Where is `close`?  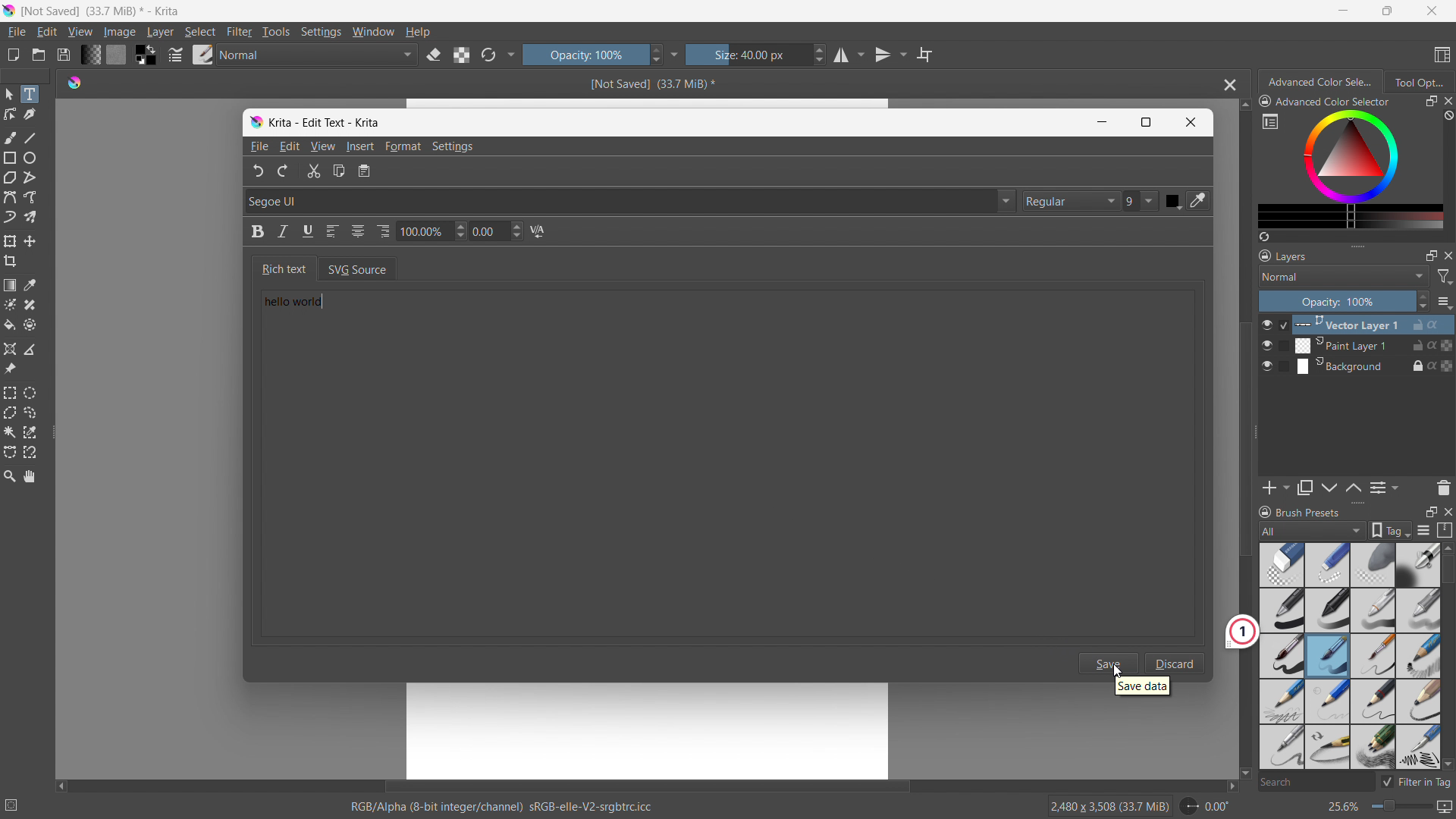
close is located at coordinates (1447, 101).